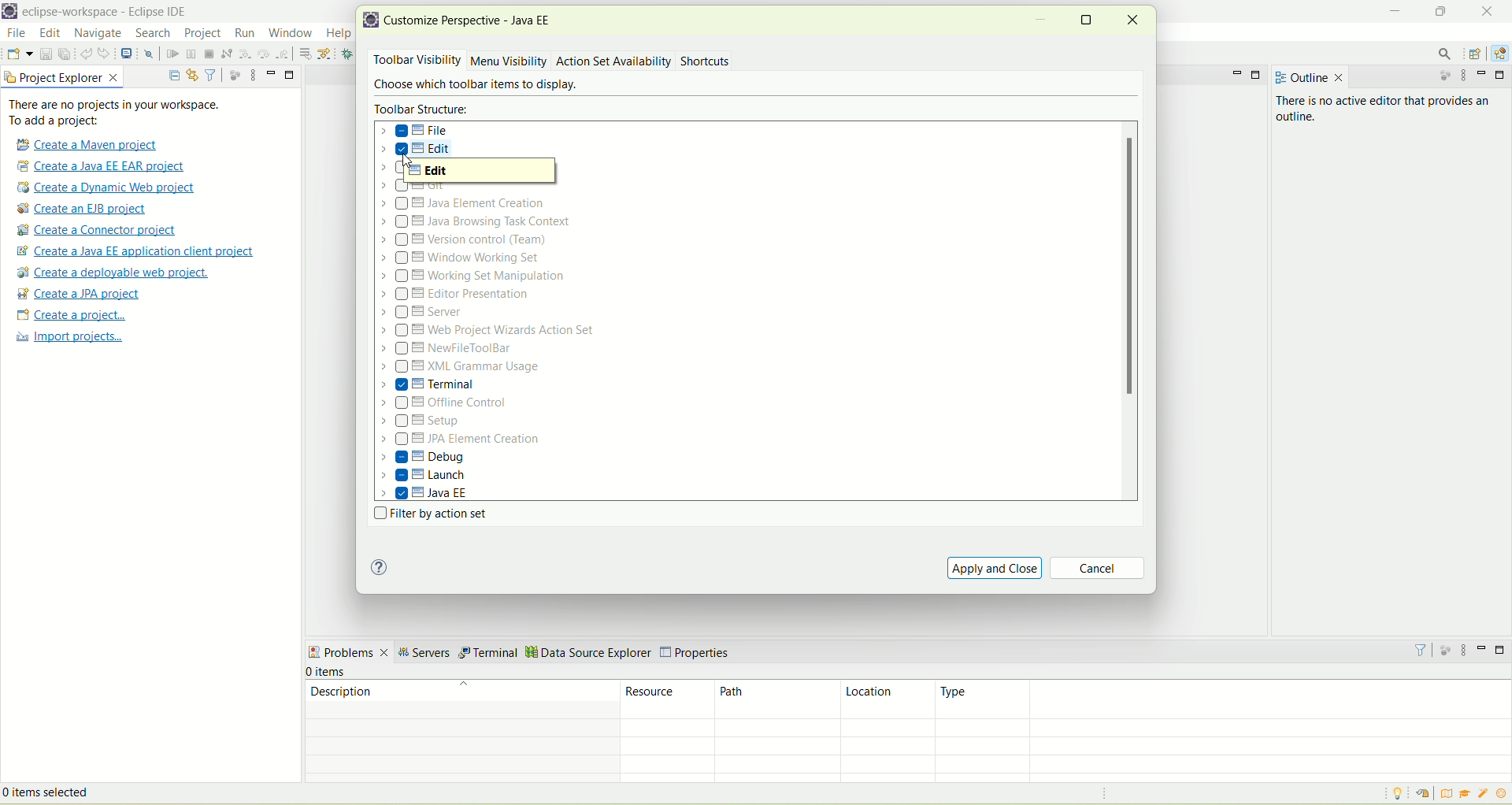  Describe the element at coordinates (379, 568) in the screenshot. I see `help` at that location.